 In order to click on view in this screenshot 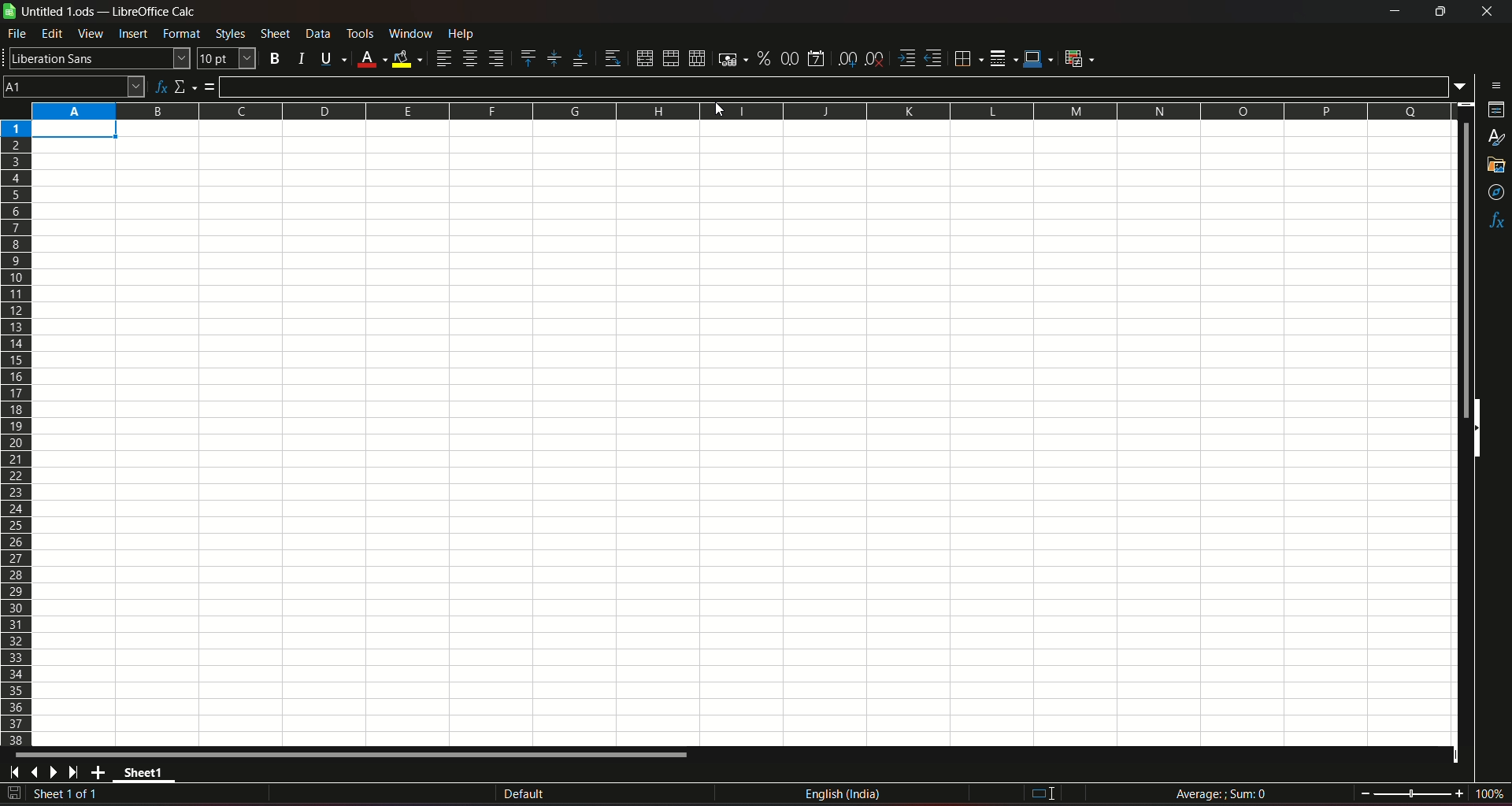, I will do `click(91, 34)`.